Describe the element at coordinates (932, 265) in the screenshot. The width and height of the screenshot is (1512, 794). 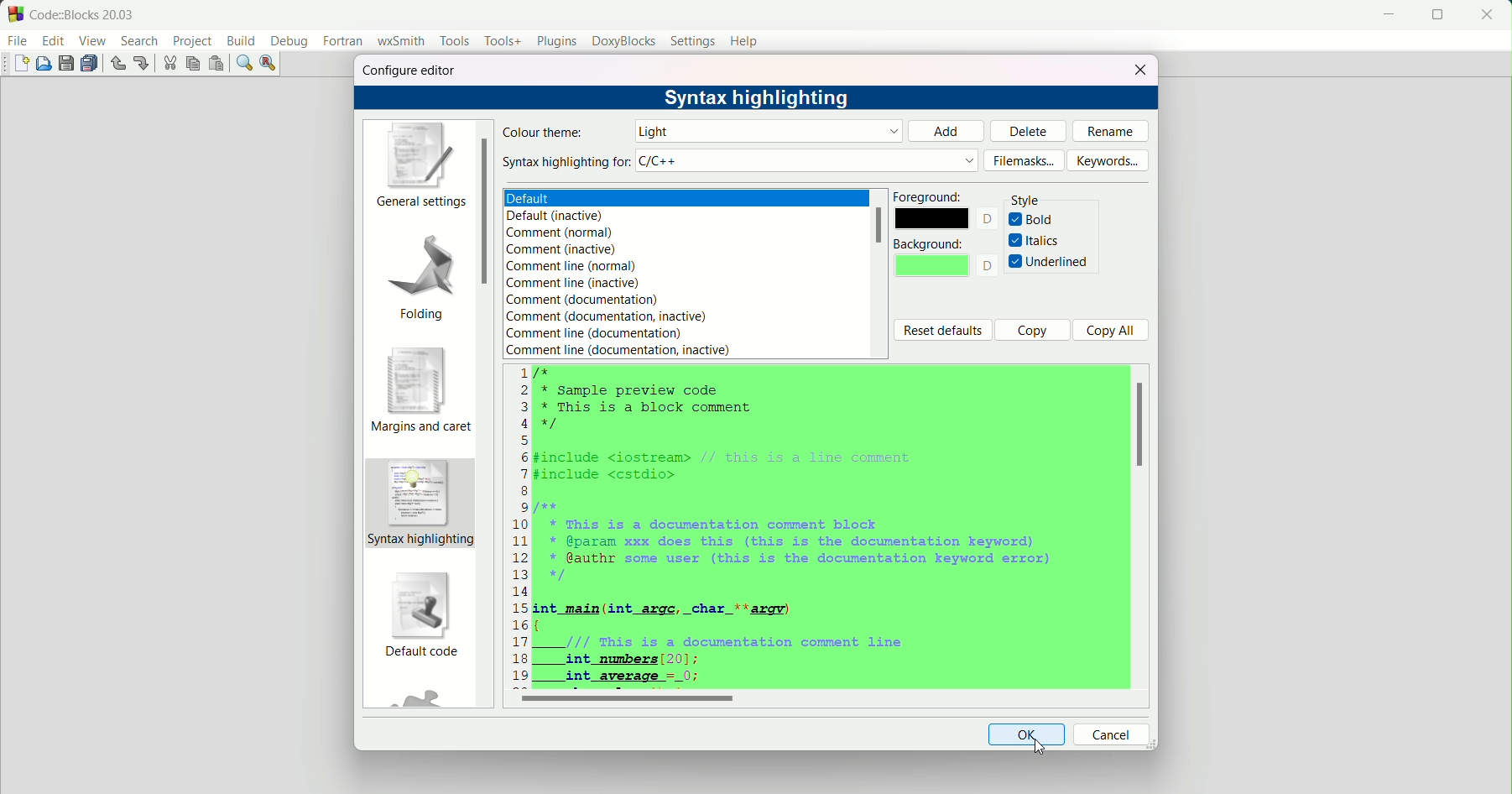
I see `background` at that location.